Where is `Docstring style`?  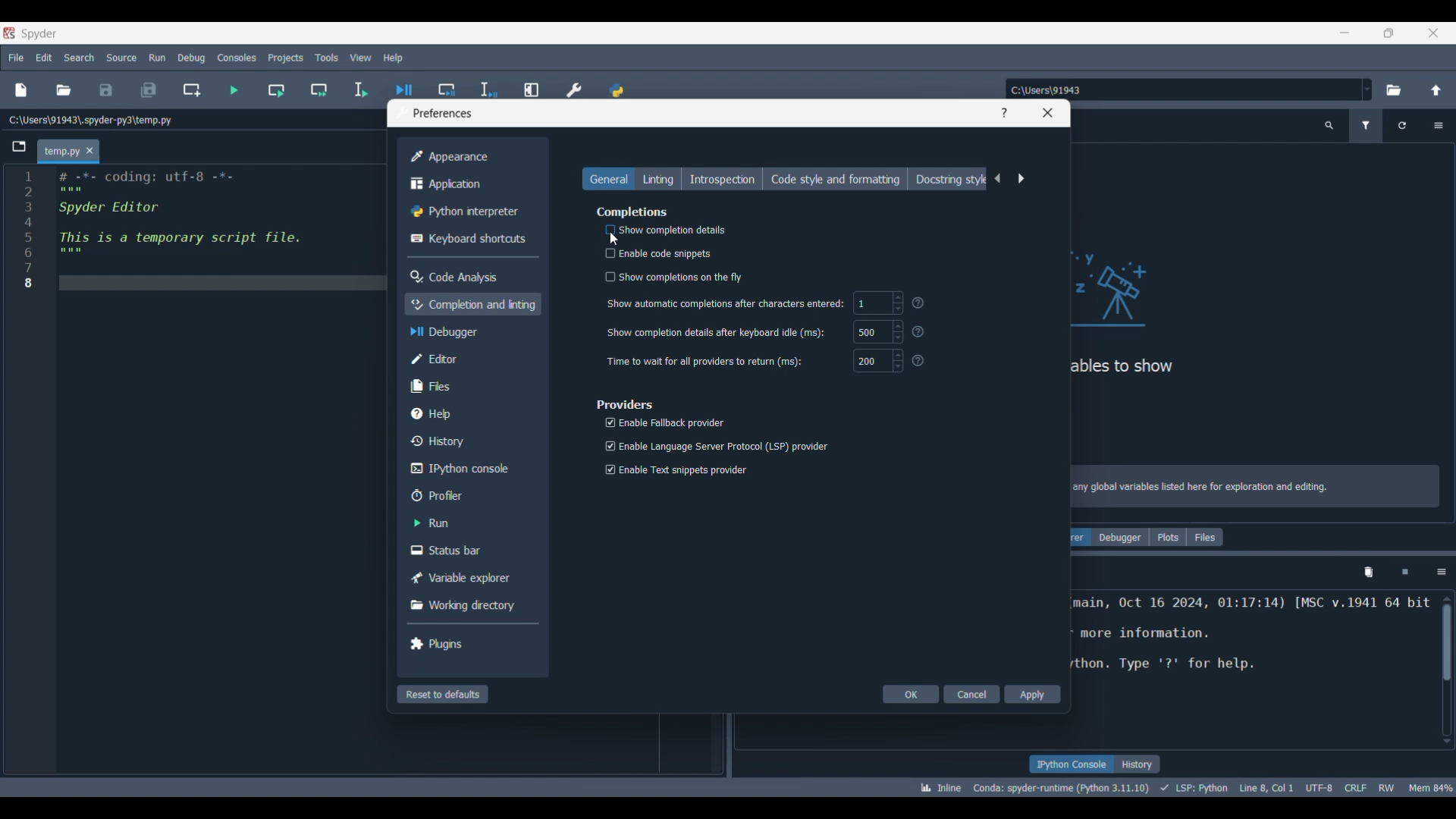 Docstring style is located at coordinates (948, 179).